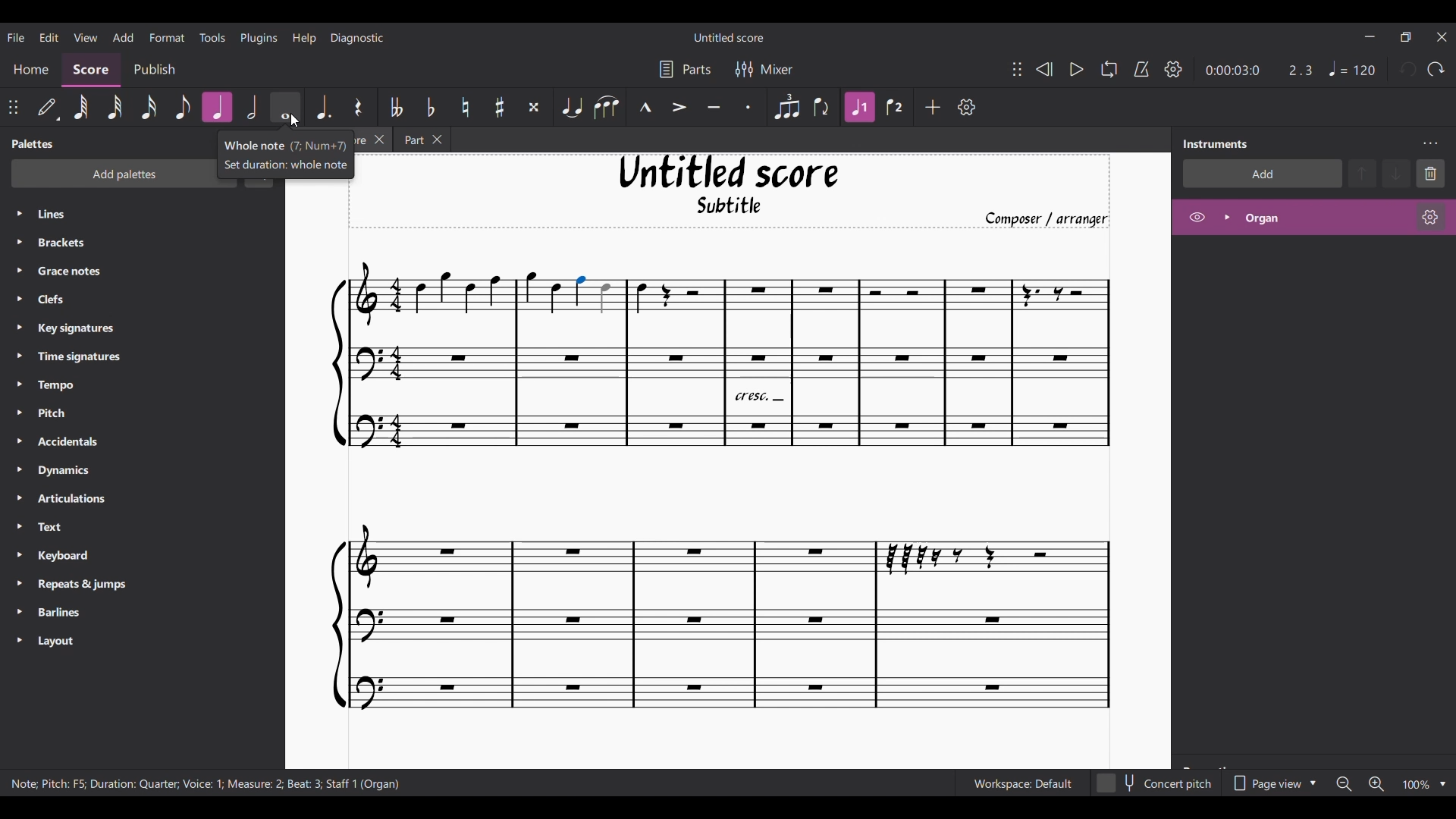  I want to click on 8th note, so click(183, 106).